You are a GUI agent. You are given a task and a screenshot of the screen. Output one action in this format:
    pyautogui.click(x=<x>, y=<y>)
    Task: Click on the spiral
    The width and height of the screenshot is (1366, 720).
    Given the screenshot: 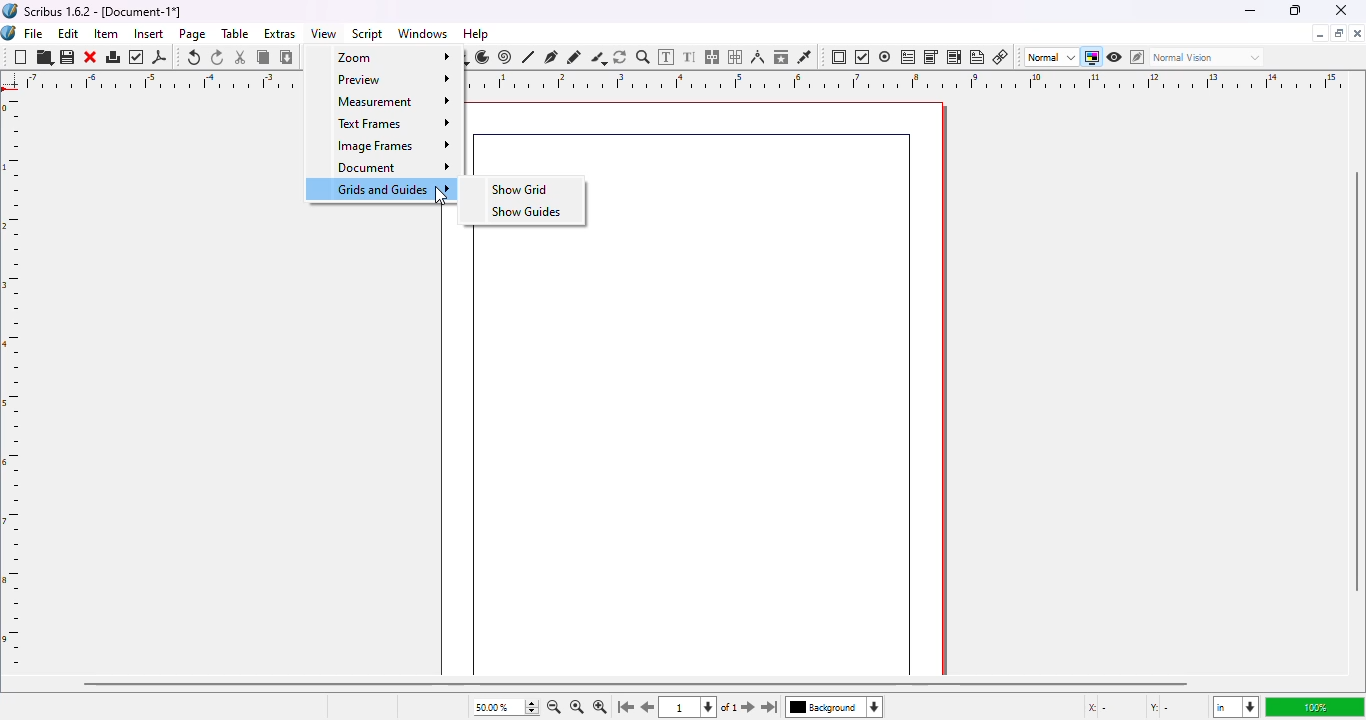 What is the action you would take?
    pyautogui.click(x=505, y=57)
    